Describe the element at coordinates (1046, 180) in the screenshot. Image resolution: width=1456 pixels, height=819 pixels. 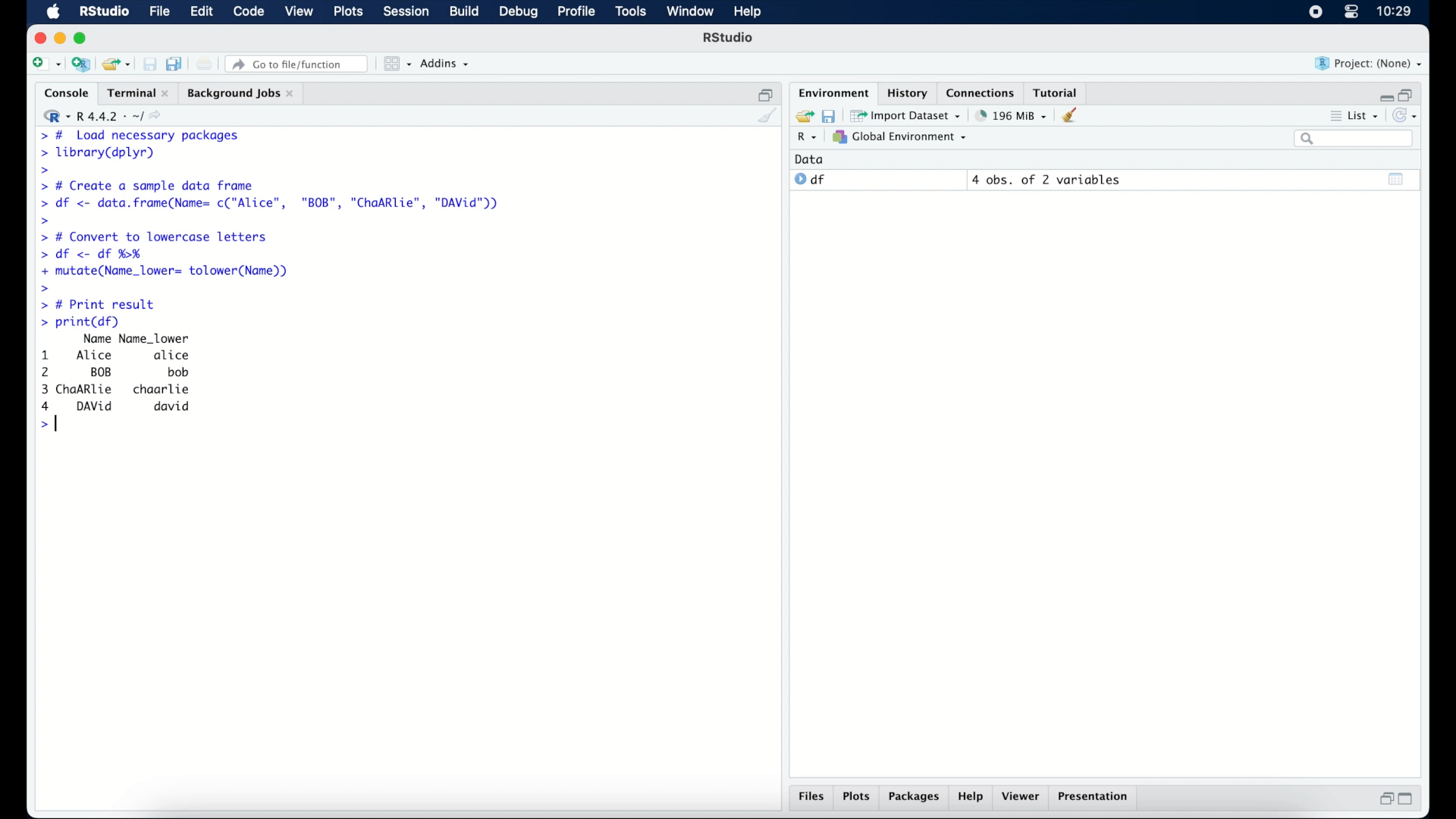
I see `4 obs, of 2 variables` at that location.